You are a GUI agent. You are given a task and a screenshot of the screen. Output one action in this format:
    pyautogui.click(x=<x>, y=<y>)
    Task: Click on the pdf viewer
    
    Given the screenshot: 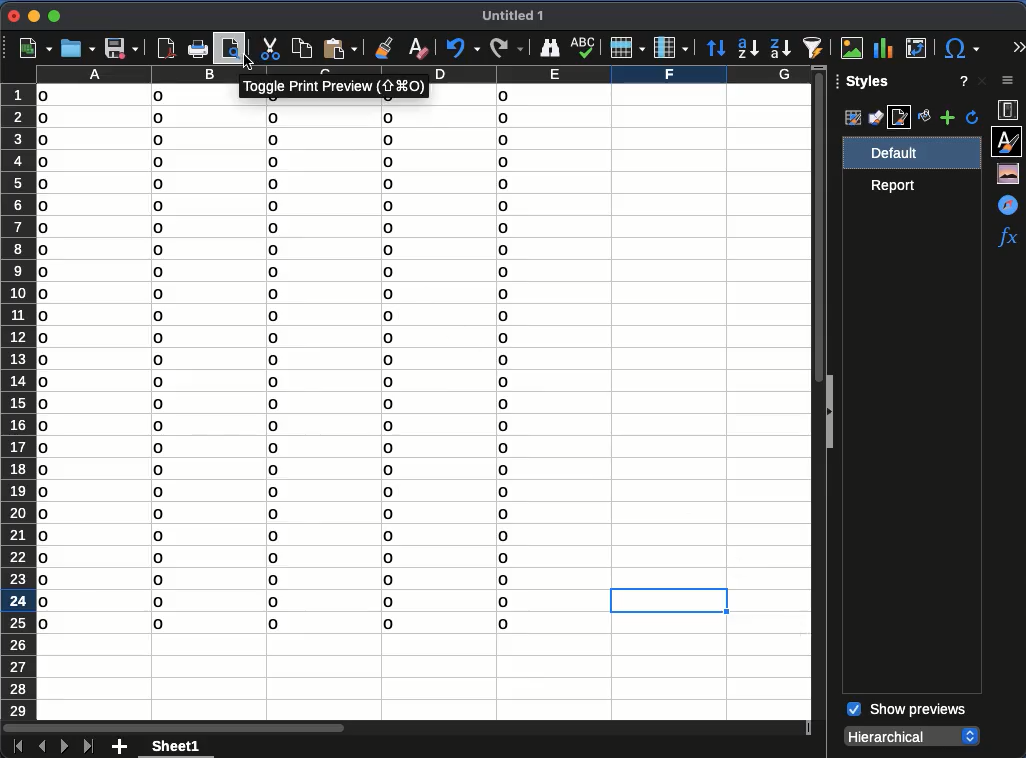 What is the action you would take?
    pyautogui.click(x=166, y=48)
    